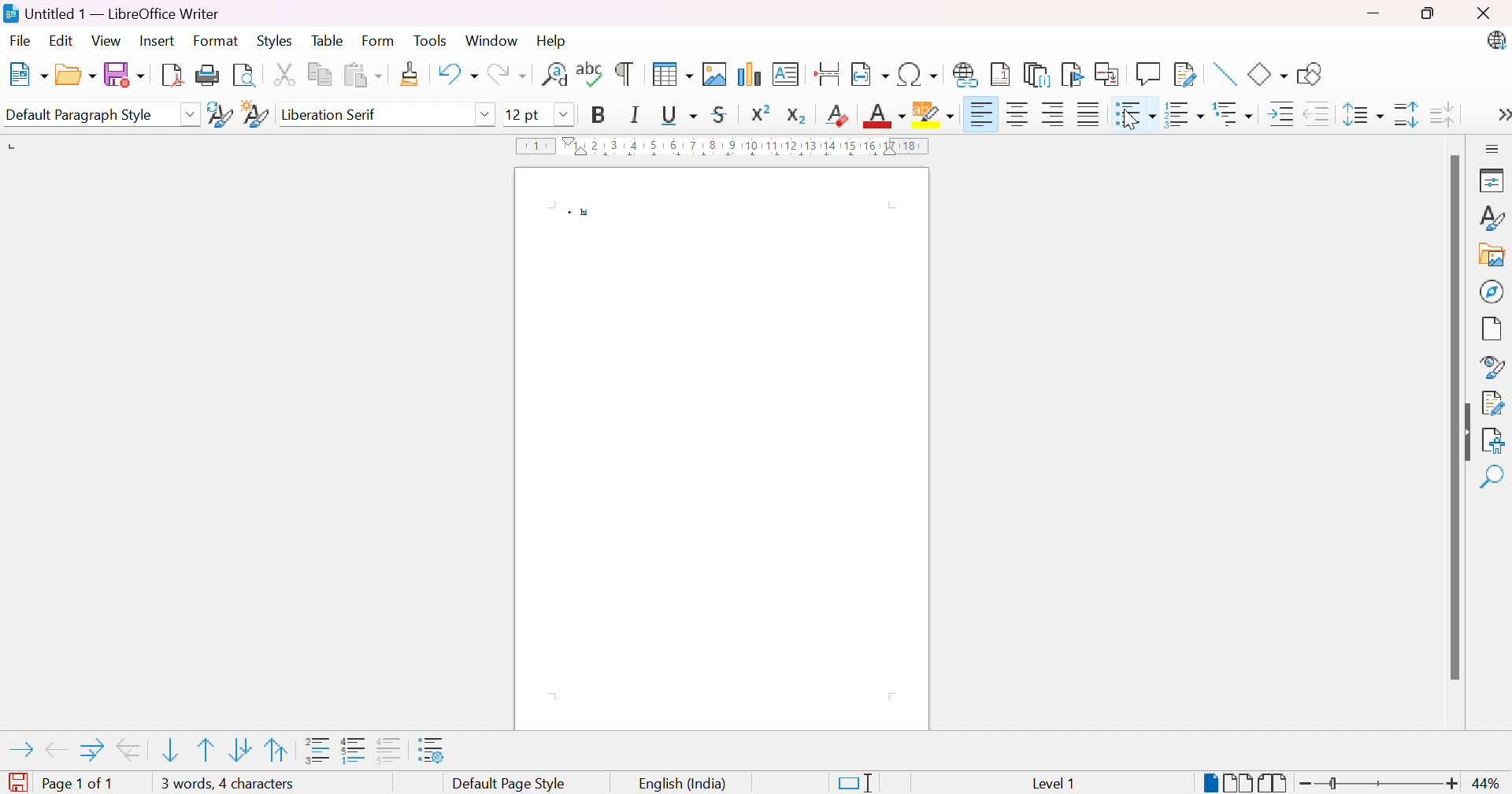  I want to click on Cut, so click(288, 76).